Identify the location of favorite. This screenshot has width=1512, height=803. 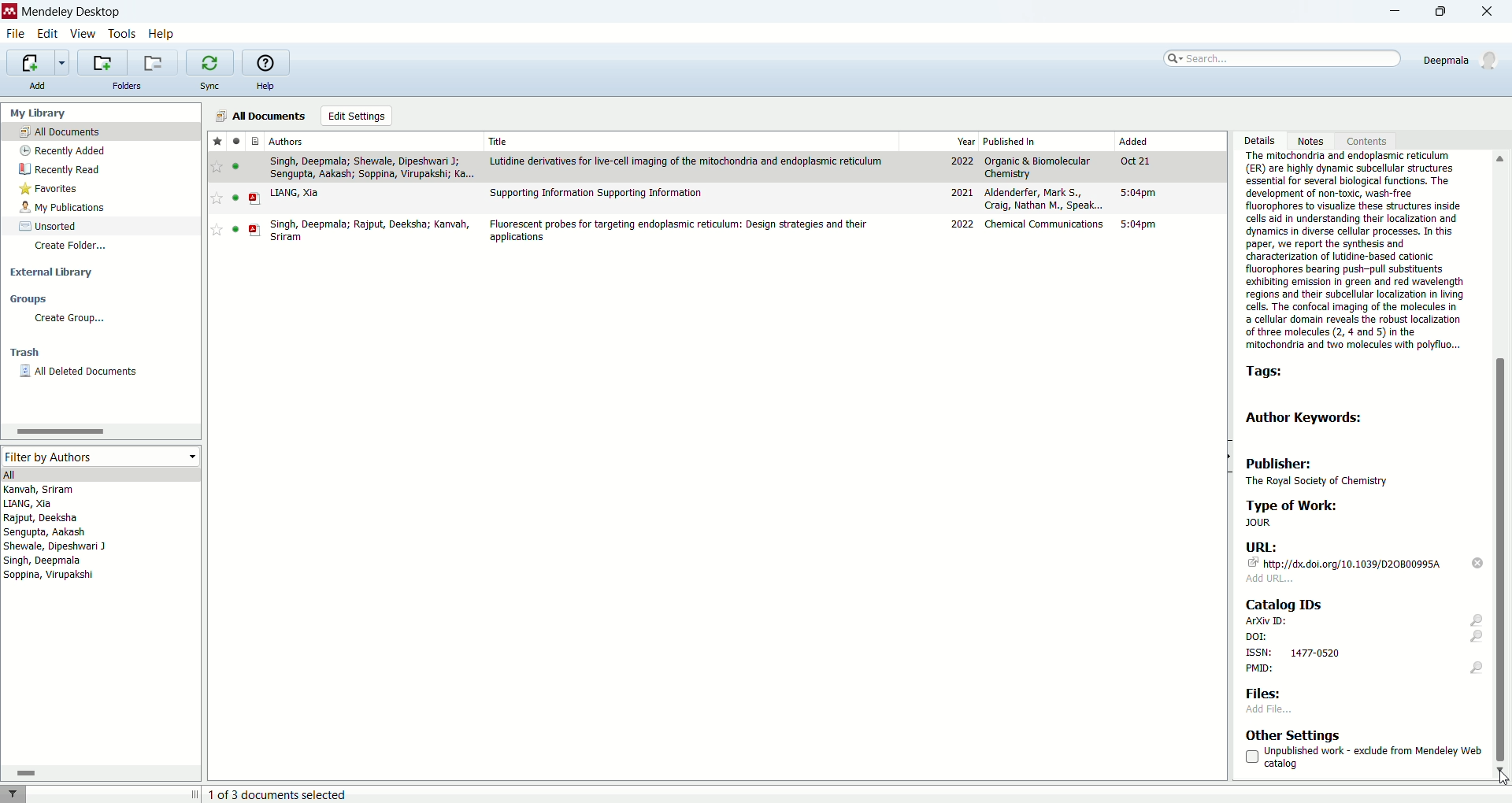
(217, 198).